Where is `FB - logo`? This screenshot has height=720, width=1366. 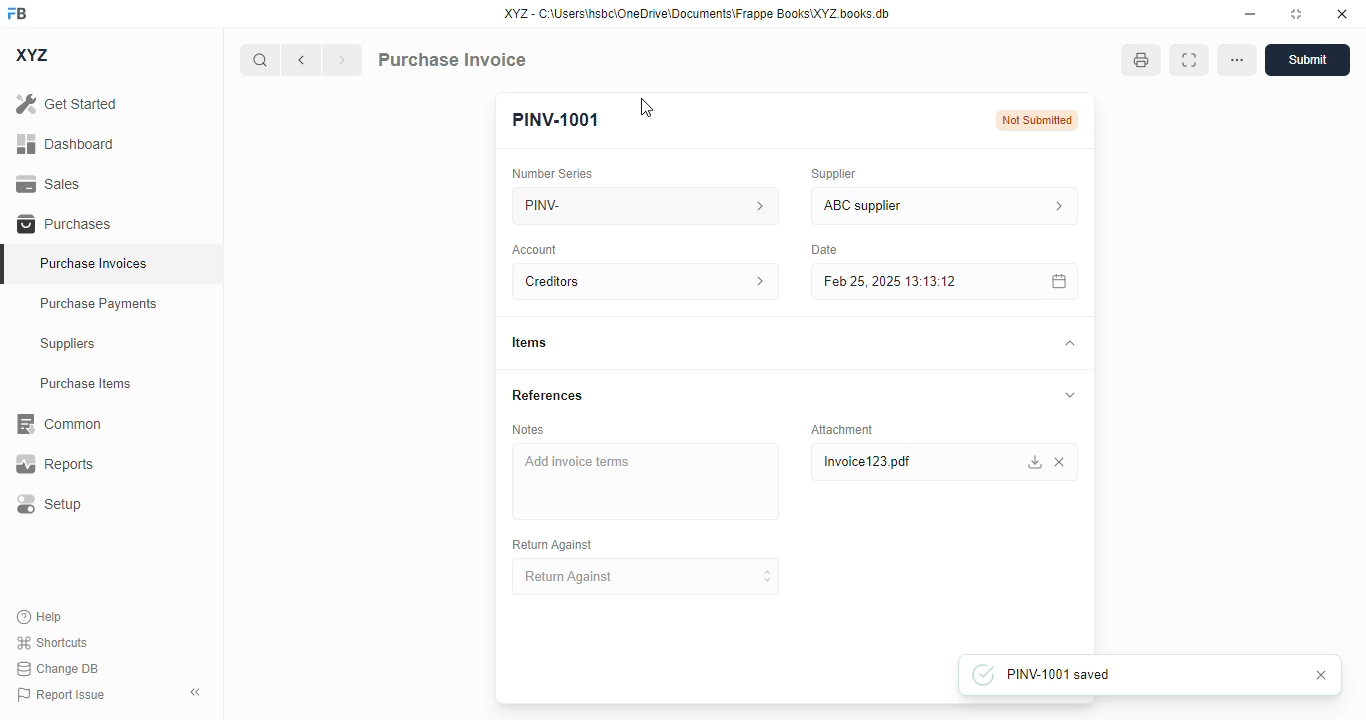 FB - logo is located at coordinates (17, 13).